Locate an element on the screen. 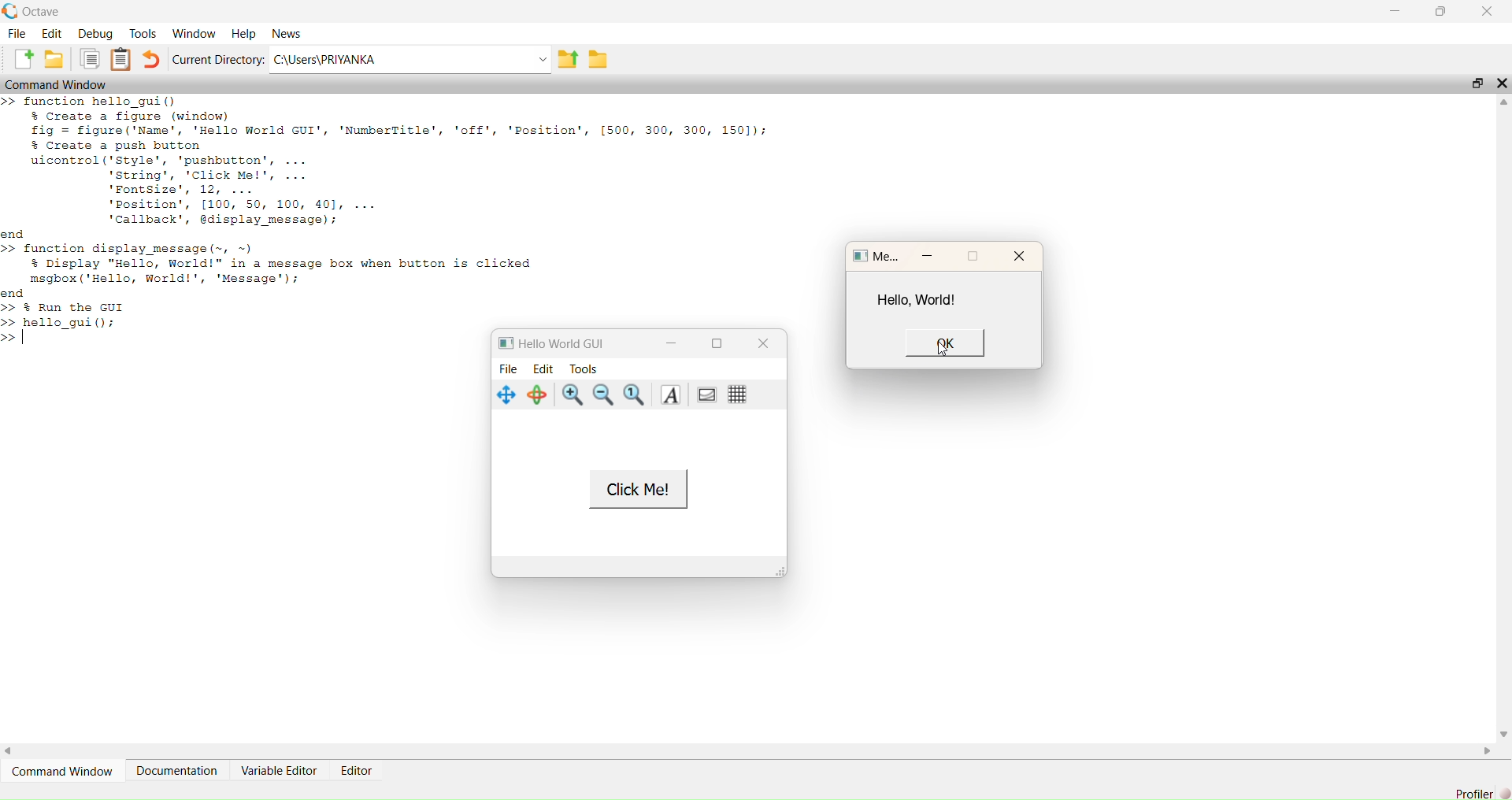 The height and width of the screenshot is (800, 1512). Profiler] is located at coordinates (1472, 791).